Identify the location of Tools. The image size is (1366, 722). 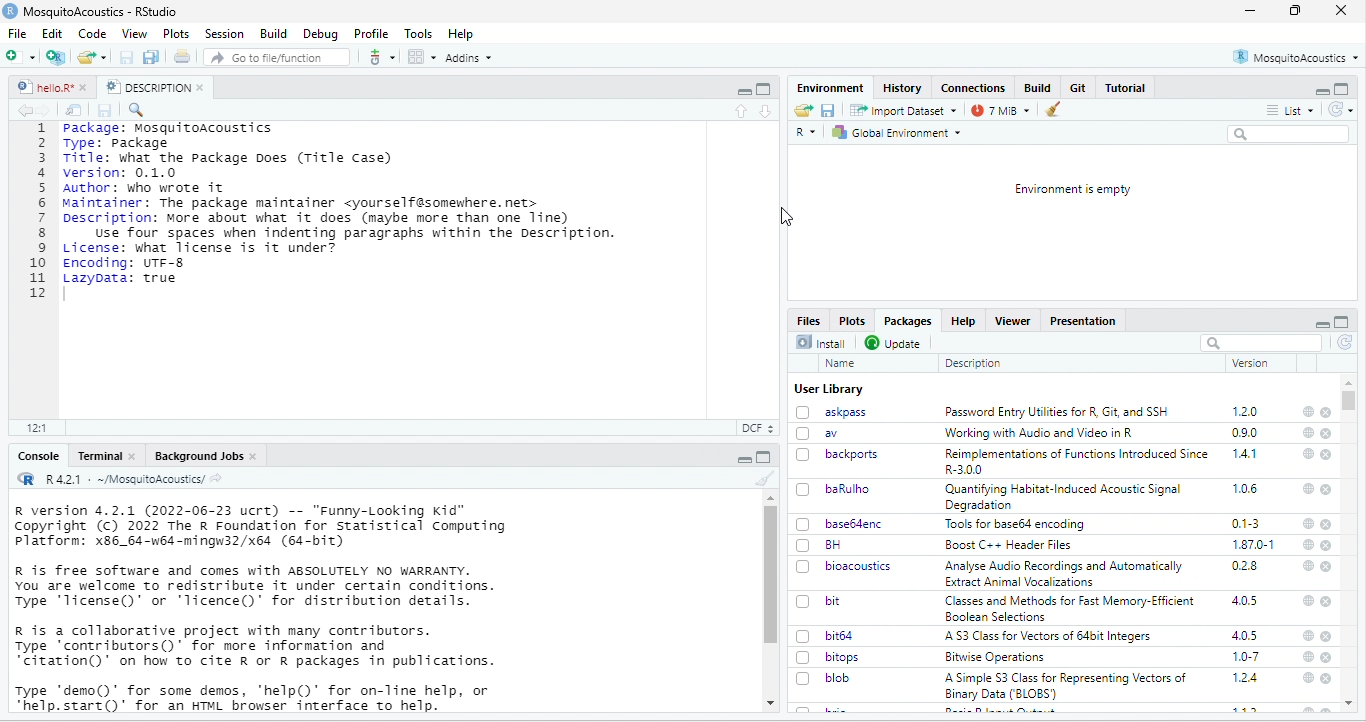
(419, 34).